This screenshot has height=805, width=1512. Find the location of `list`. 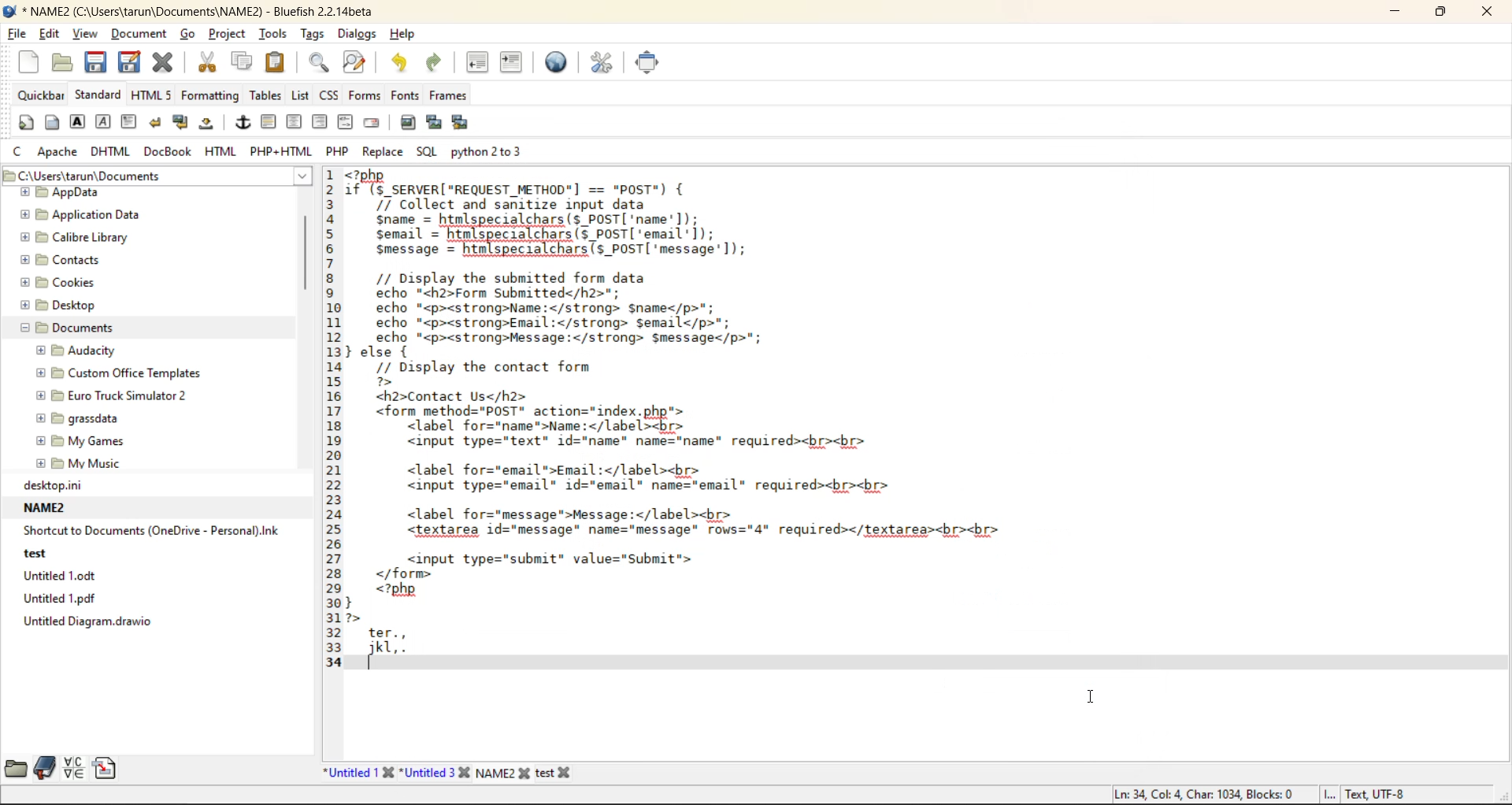

list is located at coordinates (302, 96).